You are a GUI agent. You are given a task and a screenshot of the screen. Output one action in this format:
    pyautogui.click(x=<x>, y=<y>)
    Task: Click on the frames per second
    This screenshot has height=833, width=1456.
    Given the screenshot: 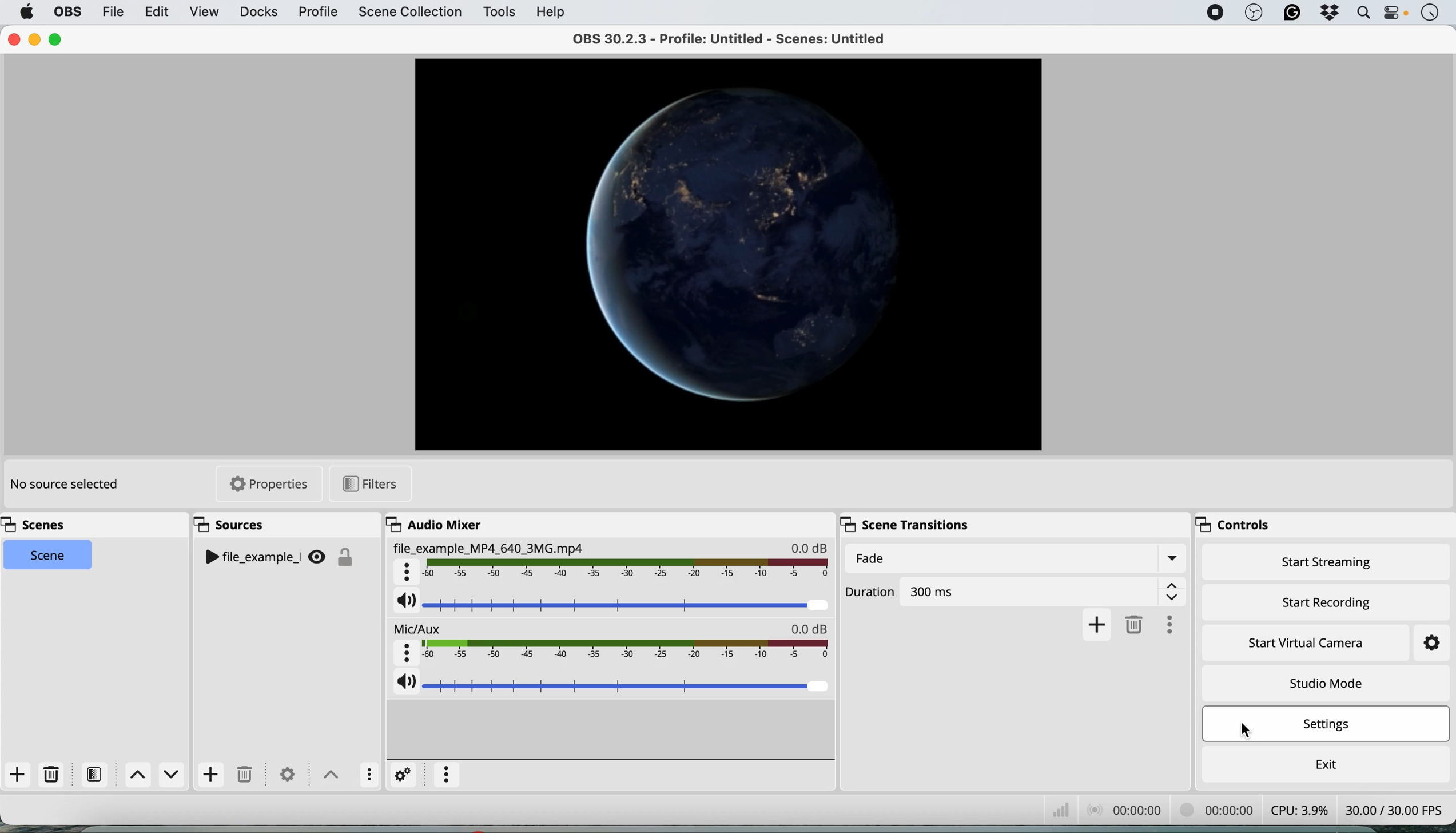 What is the action you would take?
    pyautogui.click(x=1394, y=808)
    